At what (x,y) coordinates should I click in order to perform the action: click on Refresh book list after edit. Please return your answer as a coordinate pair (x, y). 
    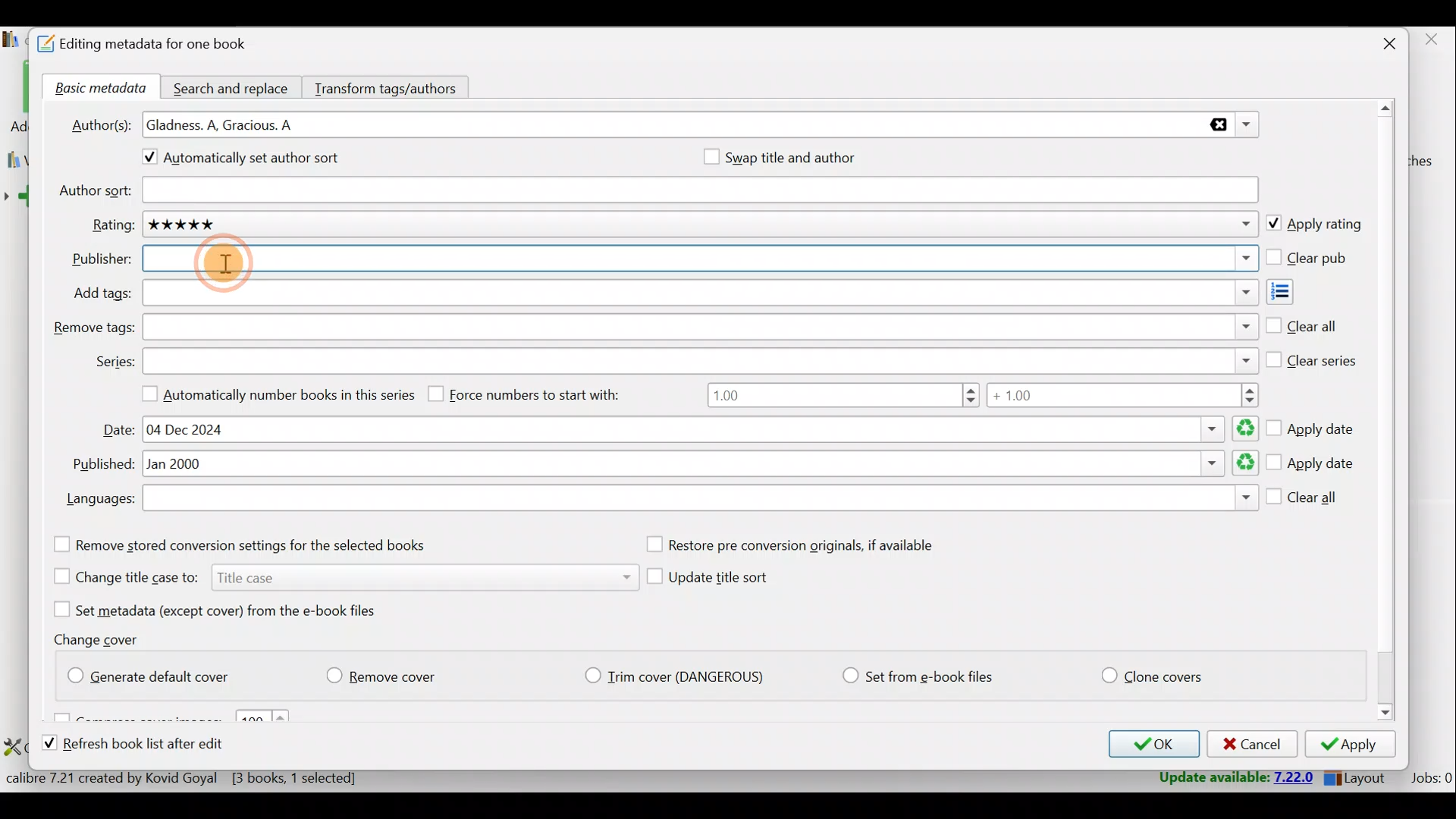
    Looking at the image, I should click on (147, 745).